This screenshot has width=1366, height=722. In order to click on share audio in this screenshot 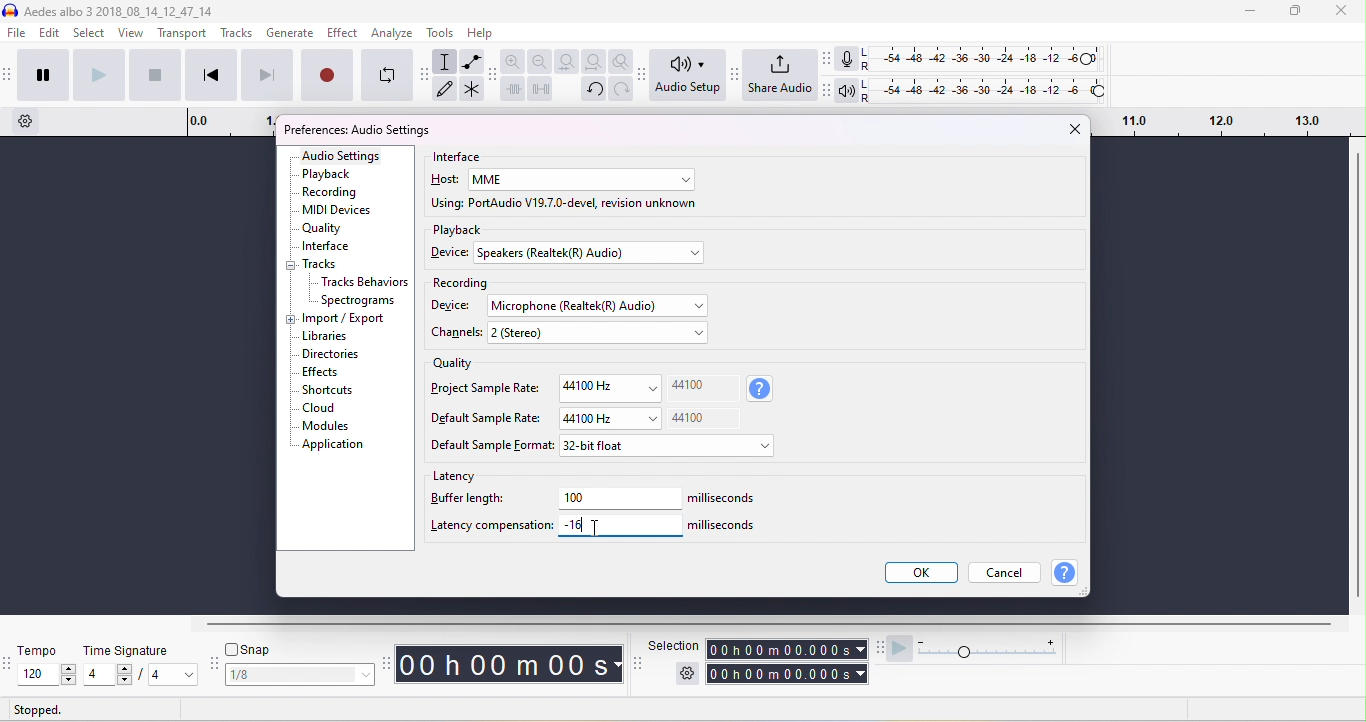, I will do `click(780, 77)`.